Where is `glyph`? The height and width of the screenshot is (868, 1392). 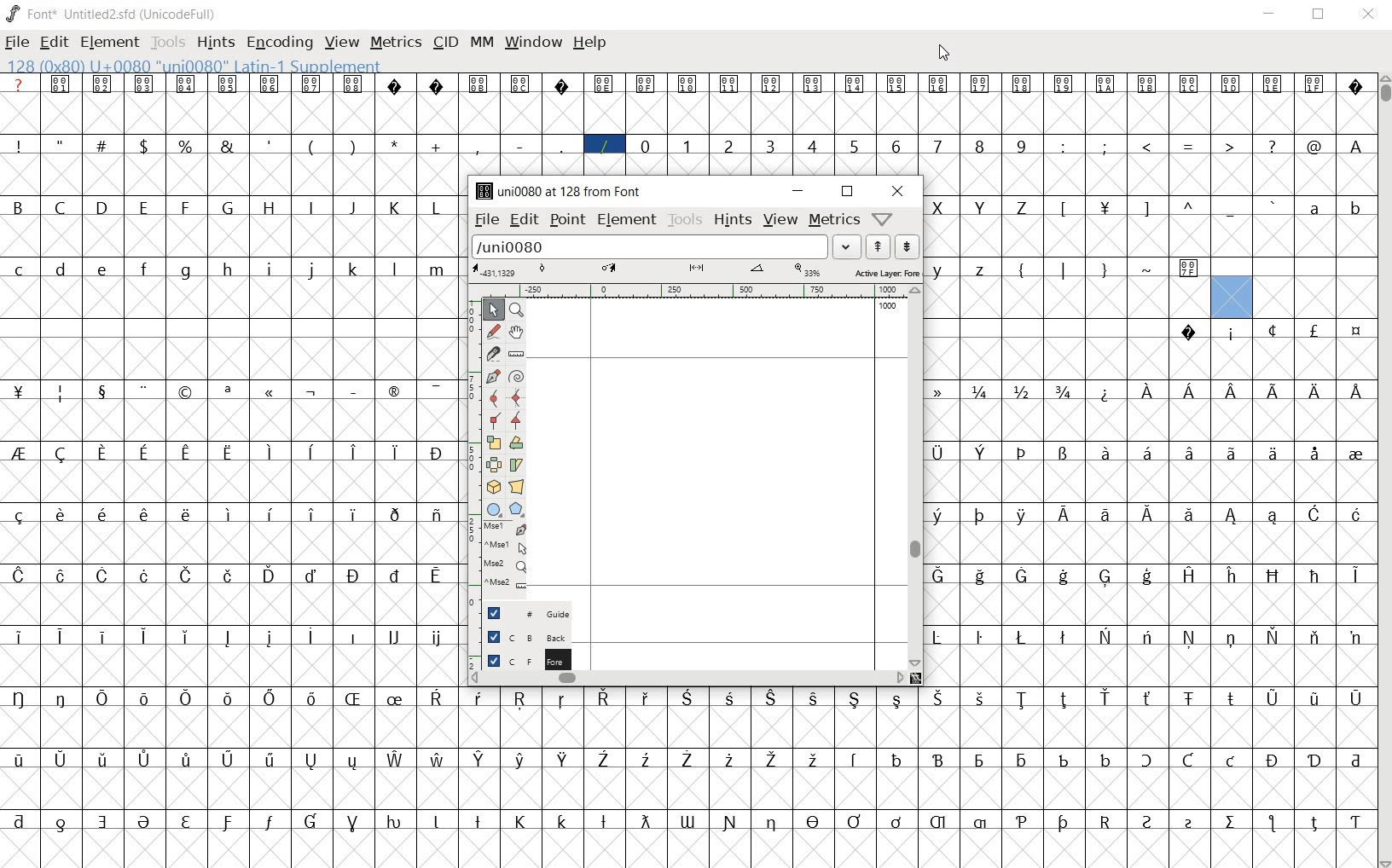
glyph is located at coordinates (1022, 822).